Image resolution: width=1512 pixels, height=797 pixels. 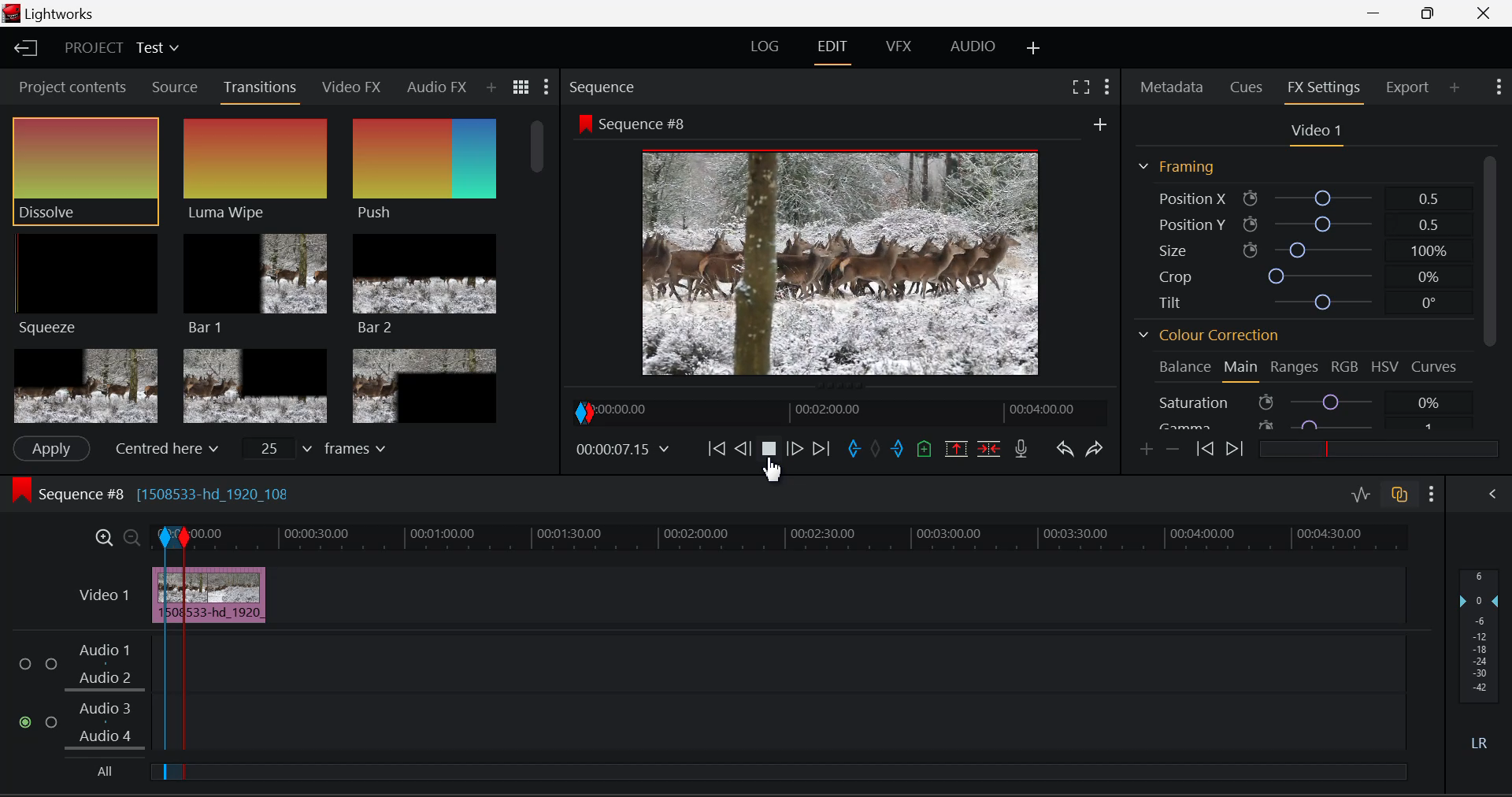 I want to click on Project Title, so click(x=120, y=46).